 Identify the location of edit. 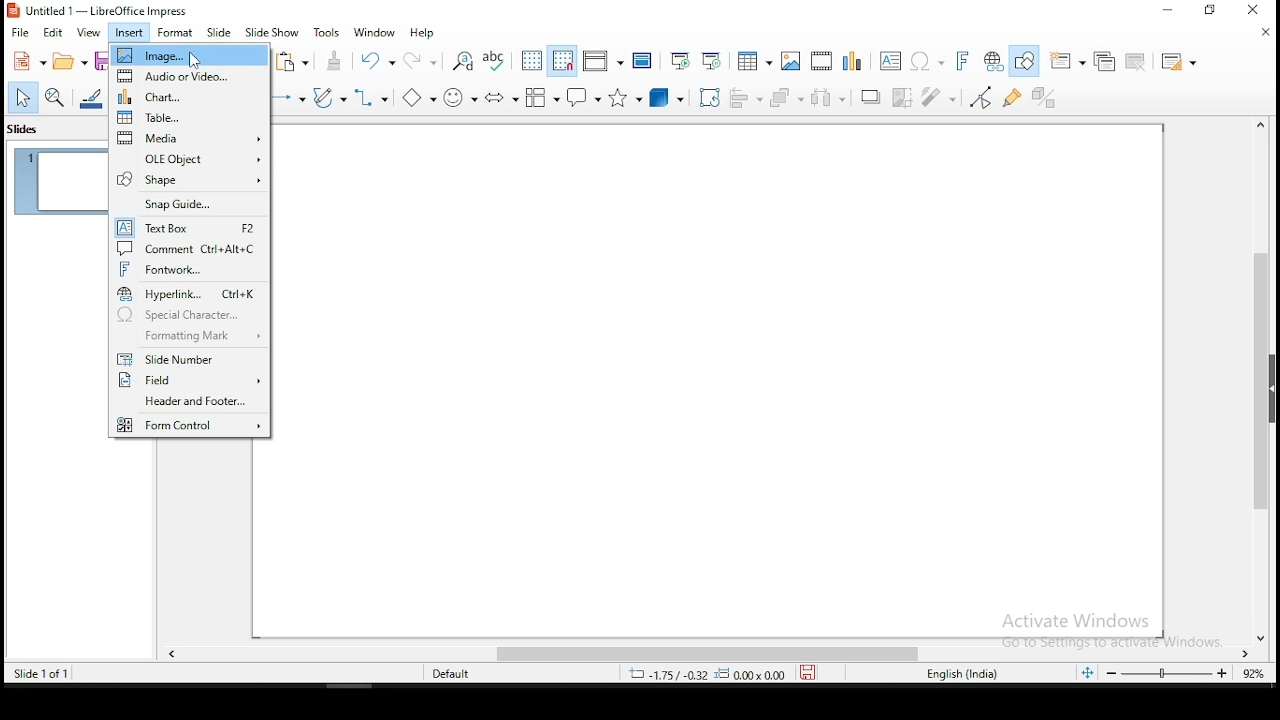
(55, 34).